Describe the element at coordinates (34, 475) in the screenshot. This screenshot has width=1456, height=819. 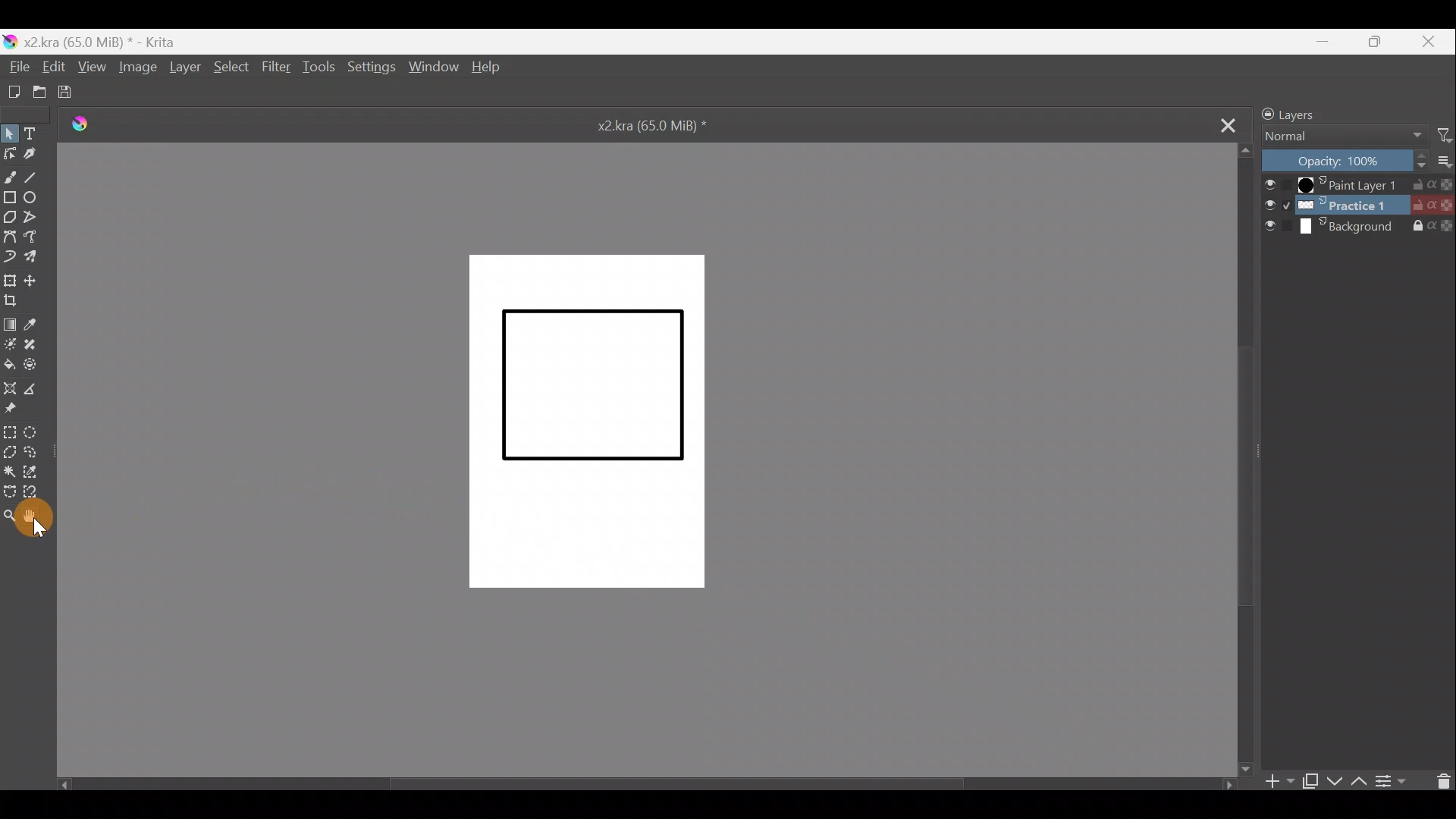
I see `Similar colour selection tool` at that location.